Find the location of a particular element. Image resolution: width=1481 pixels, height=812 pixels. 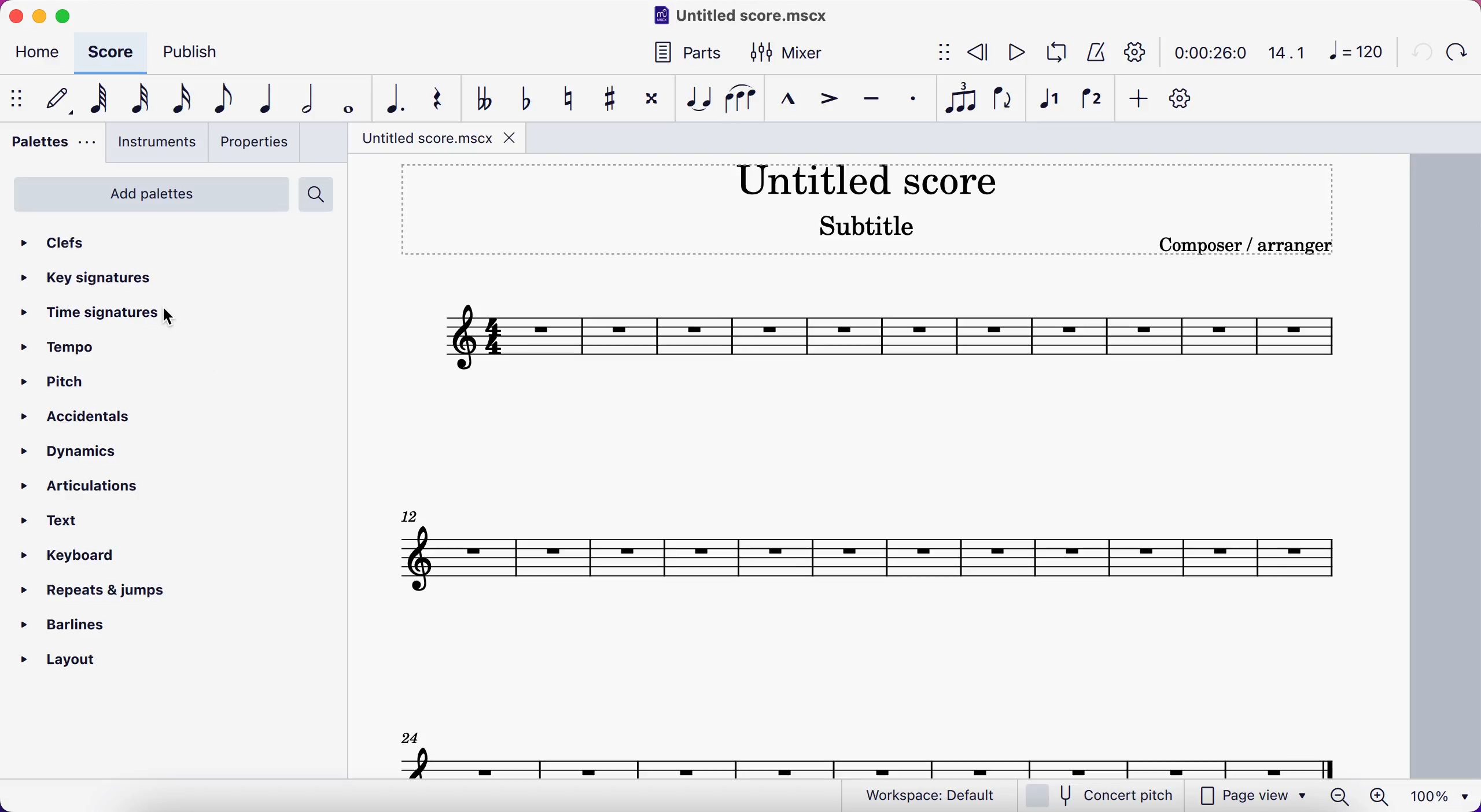

play is located at coordinates (1010, 53).